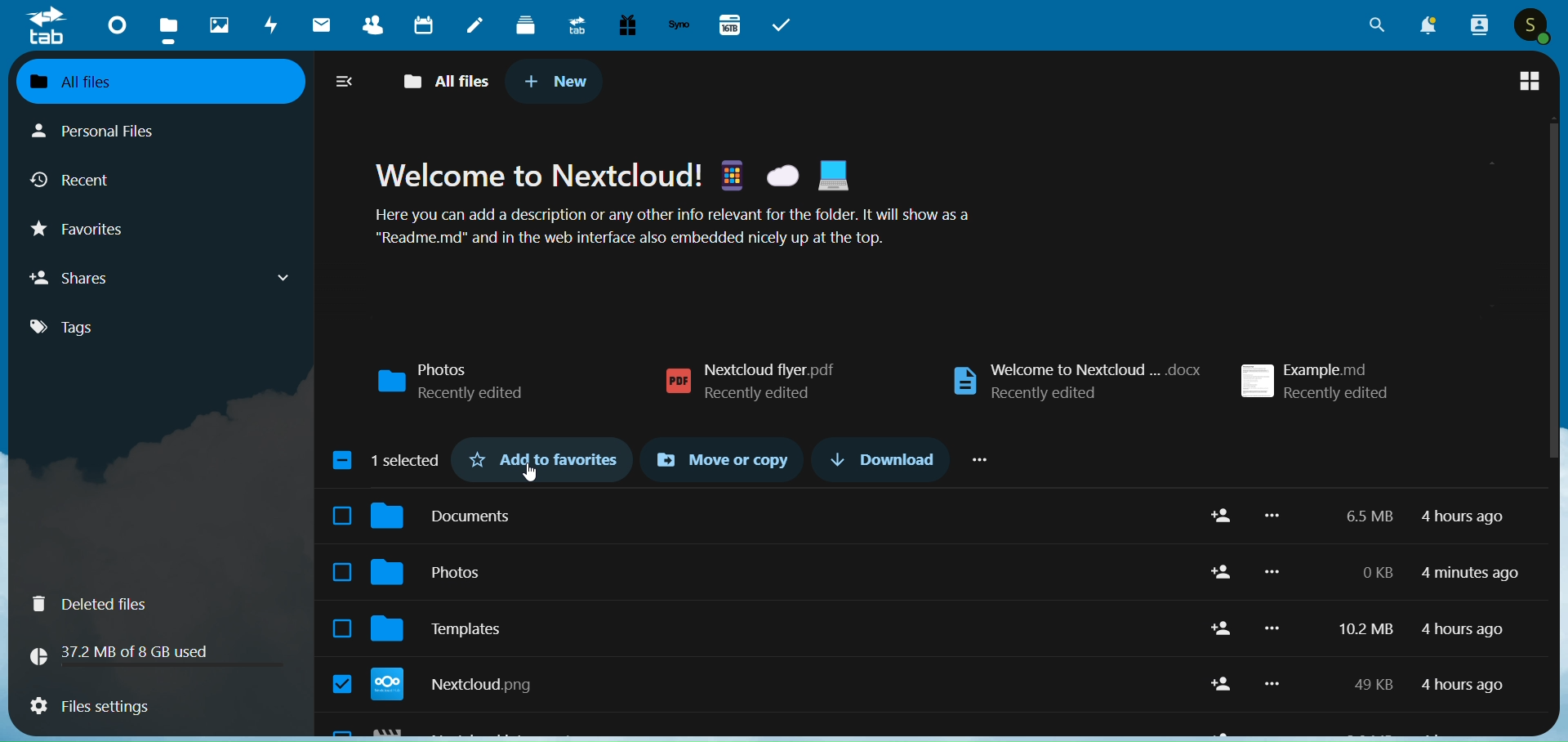 The image size is (1568, 742). Describe the element at coordinates (733, 24) in the screenshot. I see `16tb` at that location.